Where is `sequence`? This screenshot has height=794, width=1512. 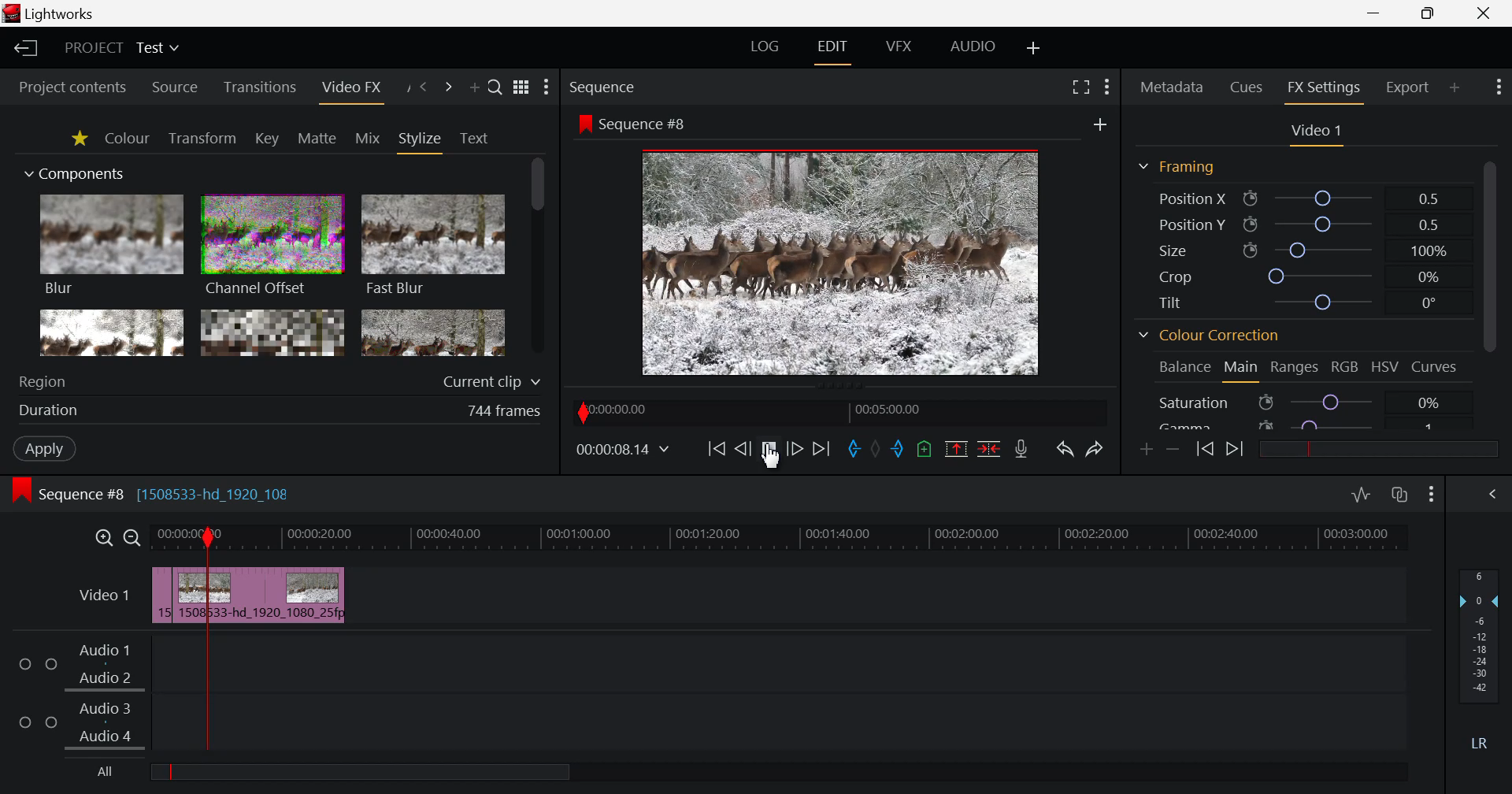
sequence is located at coordinates (636, 123).